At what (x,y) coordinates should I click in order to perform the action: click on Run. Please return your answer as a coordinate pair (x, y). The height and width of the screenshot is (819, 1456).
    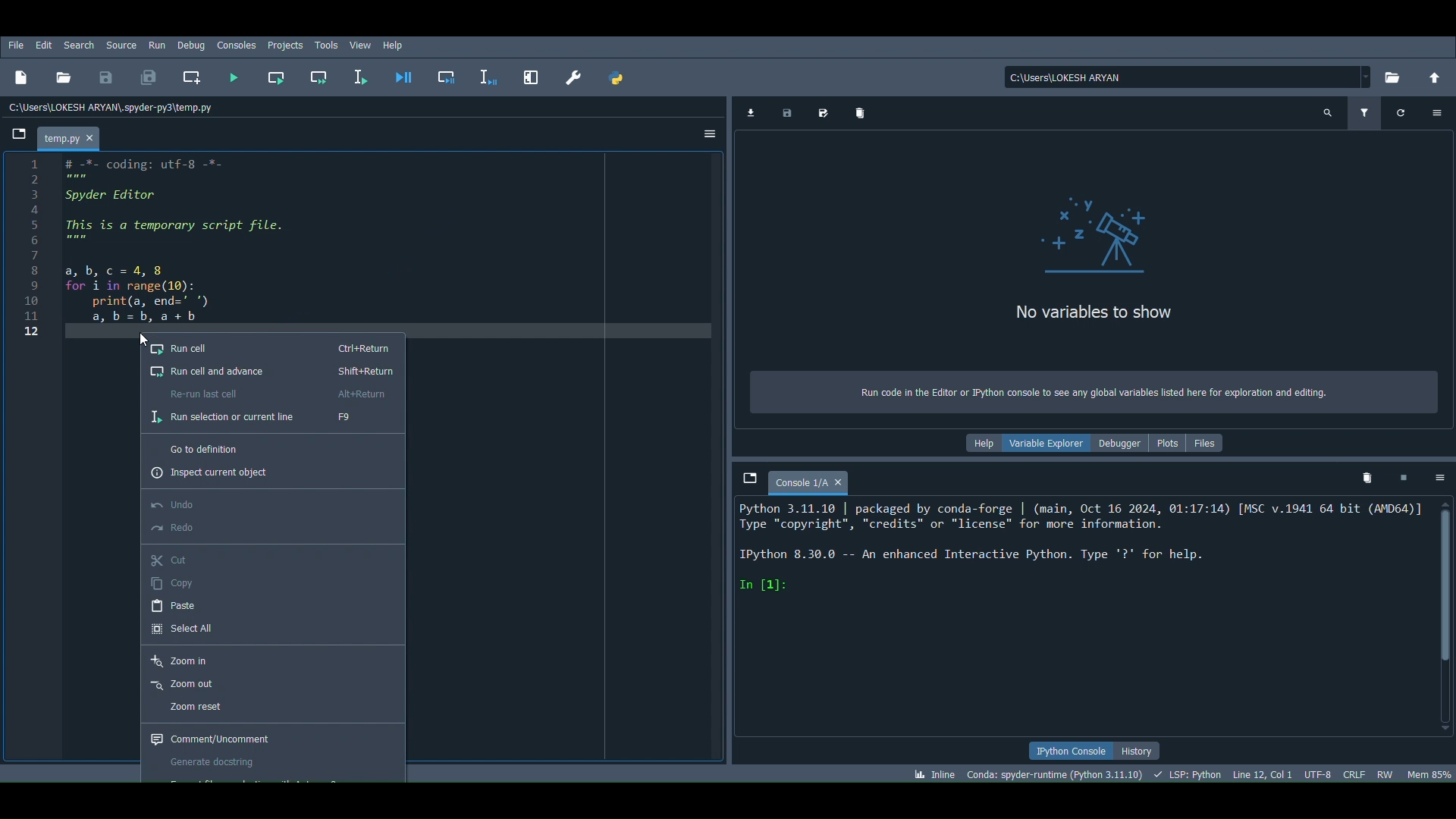
    Looking at the image, I should click on (155, 44).